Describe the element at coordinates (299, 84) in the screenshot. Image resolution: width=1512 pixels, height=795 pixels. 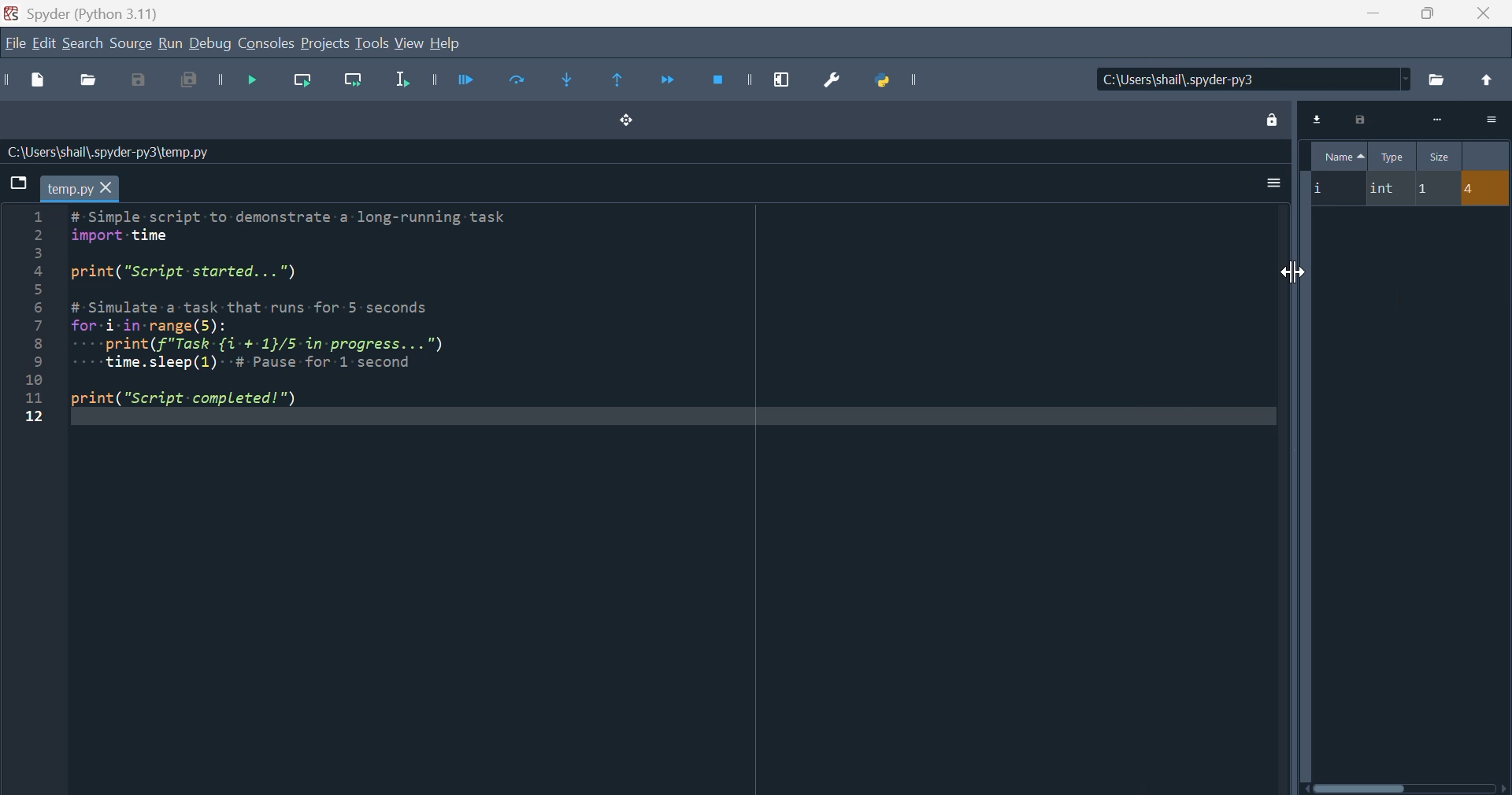
I see `Run current line` at that location.